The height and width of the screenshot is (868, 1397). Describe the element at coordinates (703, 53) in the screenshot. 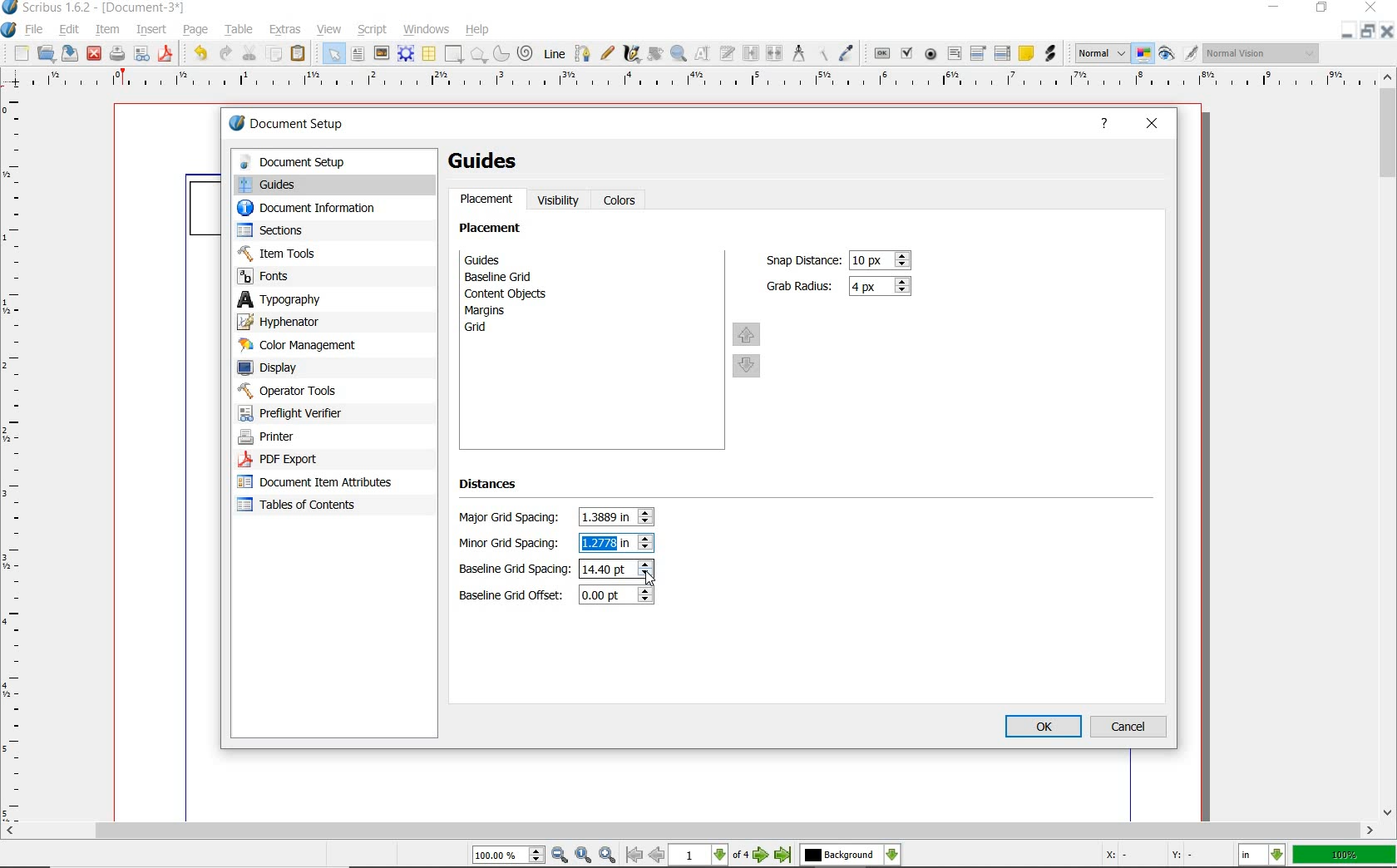

I see `edit contents of frame` at that location.